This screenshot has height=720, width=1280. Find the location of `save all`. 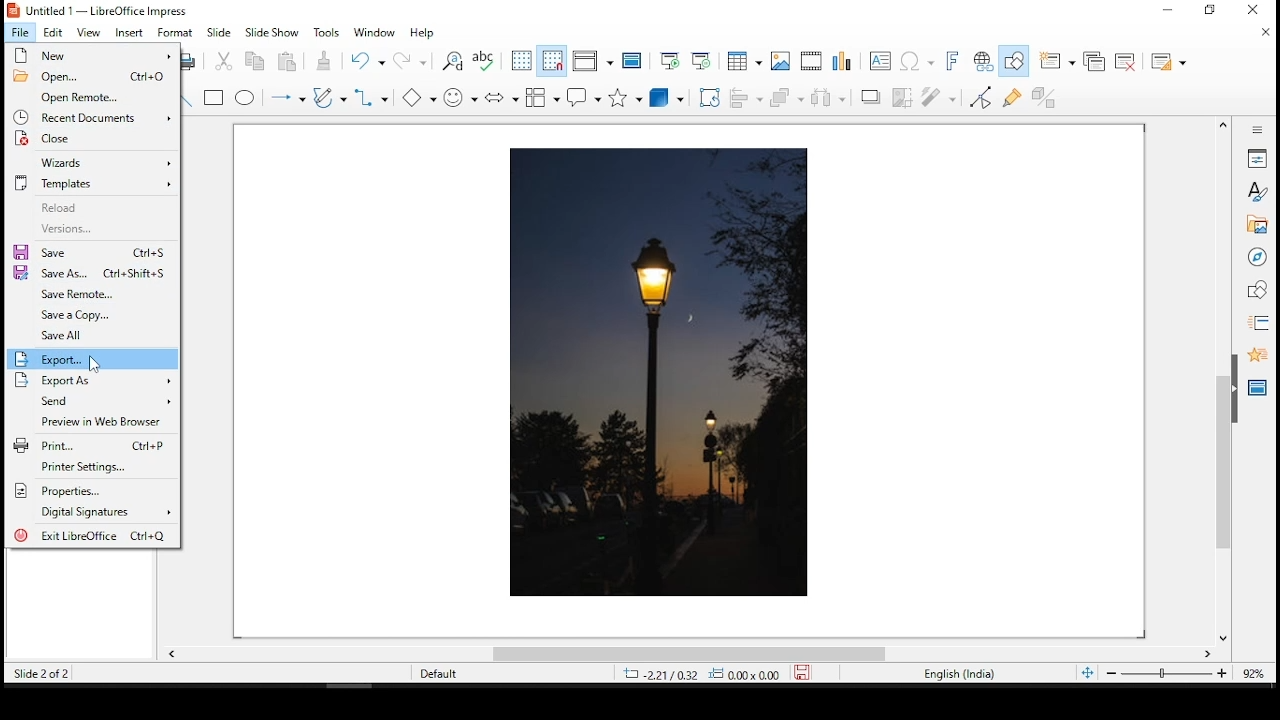

save all is located at coordinates (91, 336).